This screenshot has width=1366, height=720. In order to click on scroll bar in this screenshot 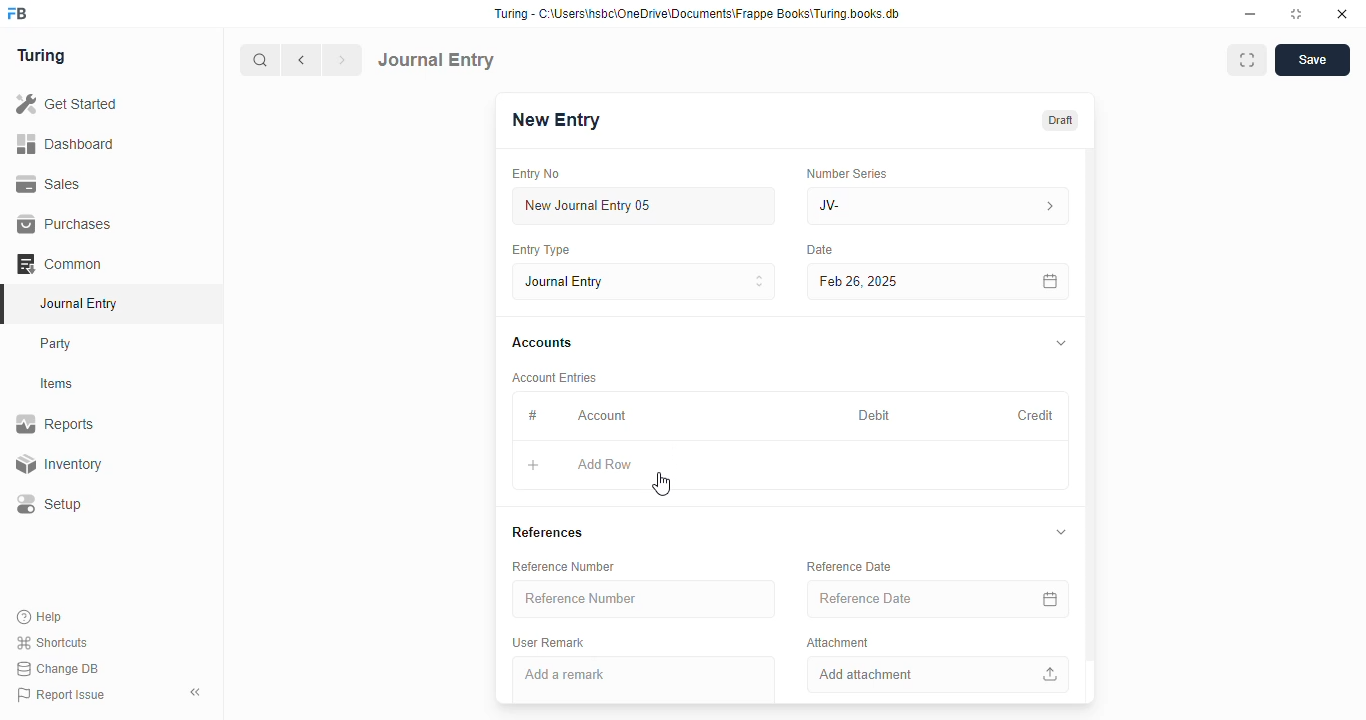, I will do `click(1091, 424)`.